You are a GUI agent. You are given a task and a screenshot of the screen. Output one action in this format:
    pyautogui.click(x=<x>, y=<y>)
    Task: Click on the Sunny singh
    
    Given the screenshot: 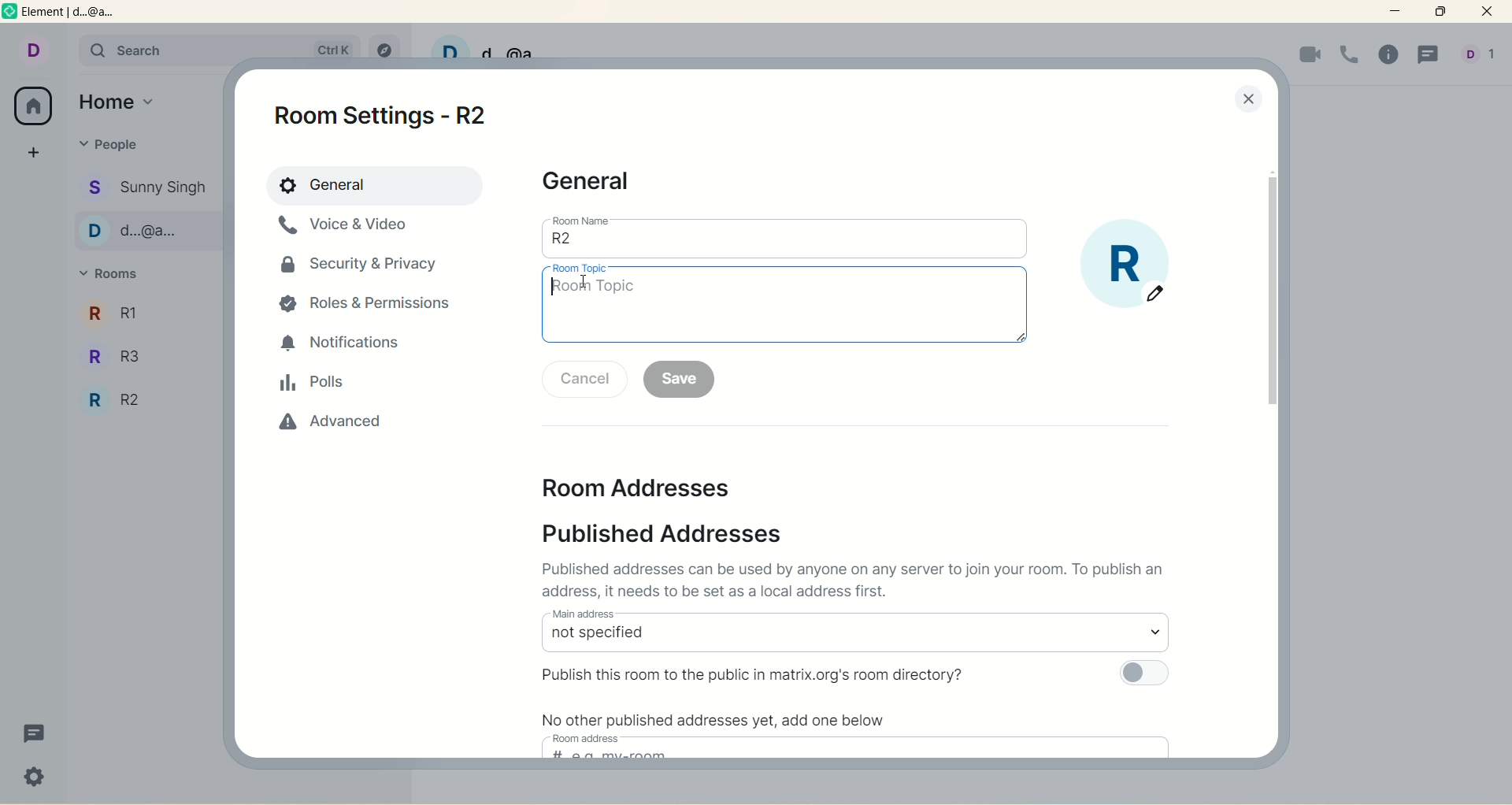 What is the action you would take?
    pyautogui.click(x=148, y=187)
    